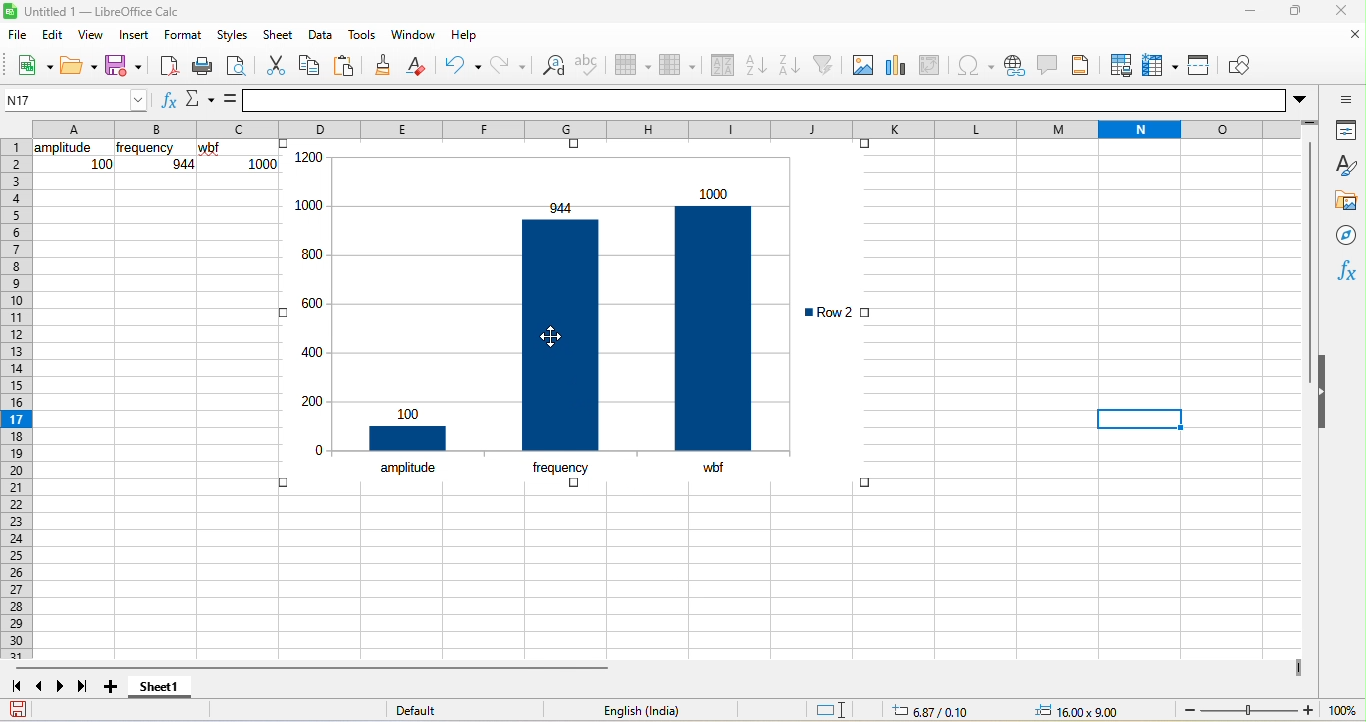 This screenshot has height=722, width=1366. Describe the element at coordinates (62, 685) in the screenshot. I see `next sheet` at that location.